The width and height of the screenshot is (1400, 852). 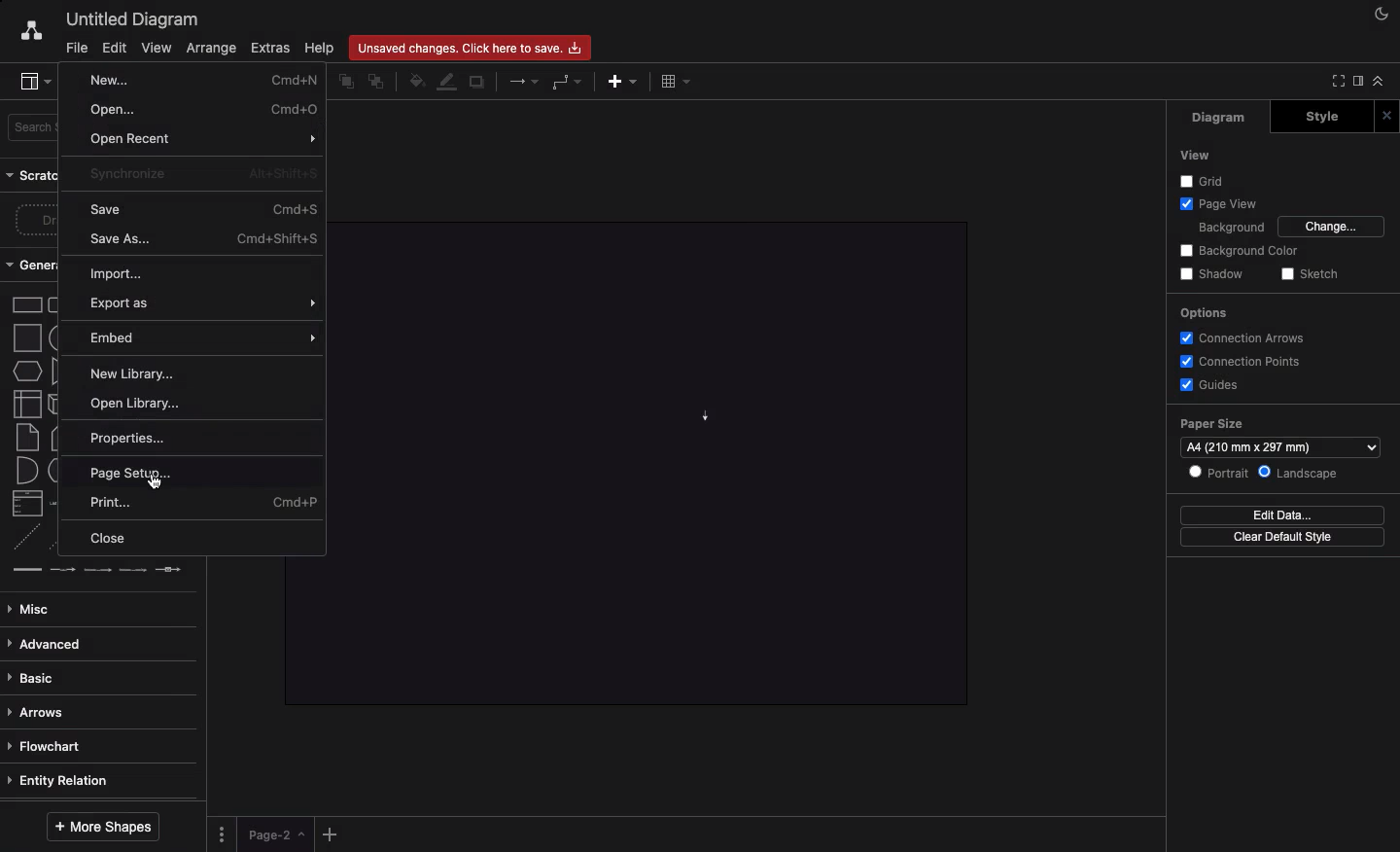 What do you see at coordinates (1379, 80) in the screenshot?
I see `Collapse` at bounding box center [1379, 80].